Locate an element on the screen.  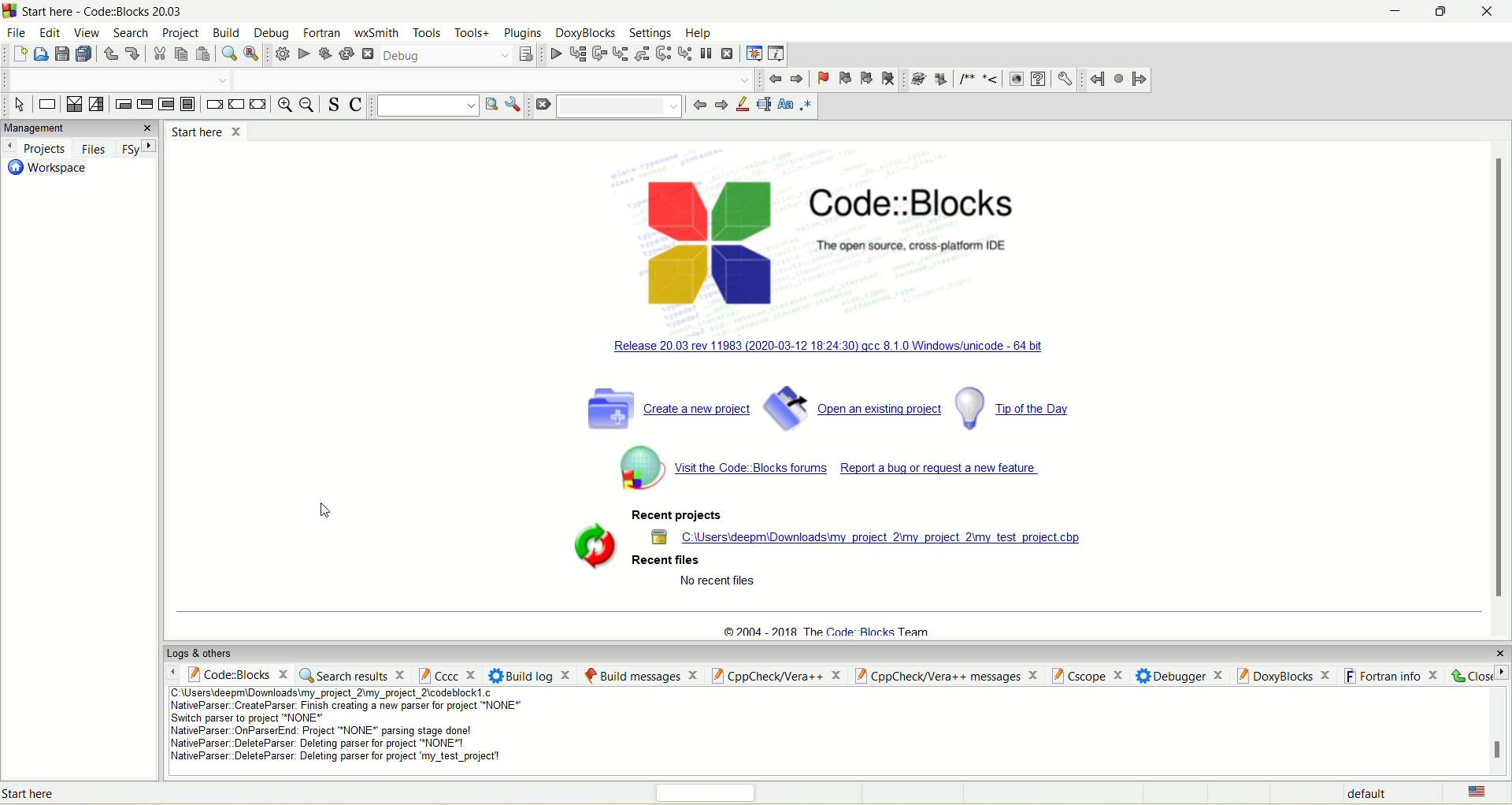
clear is located at coordinates (542, 106).